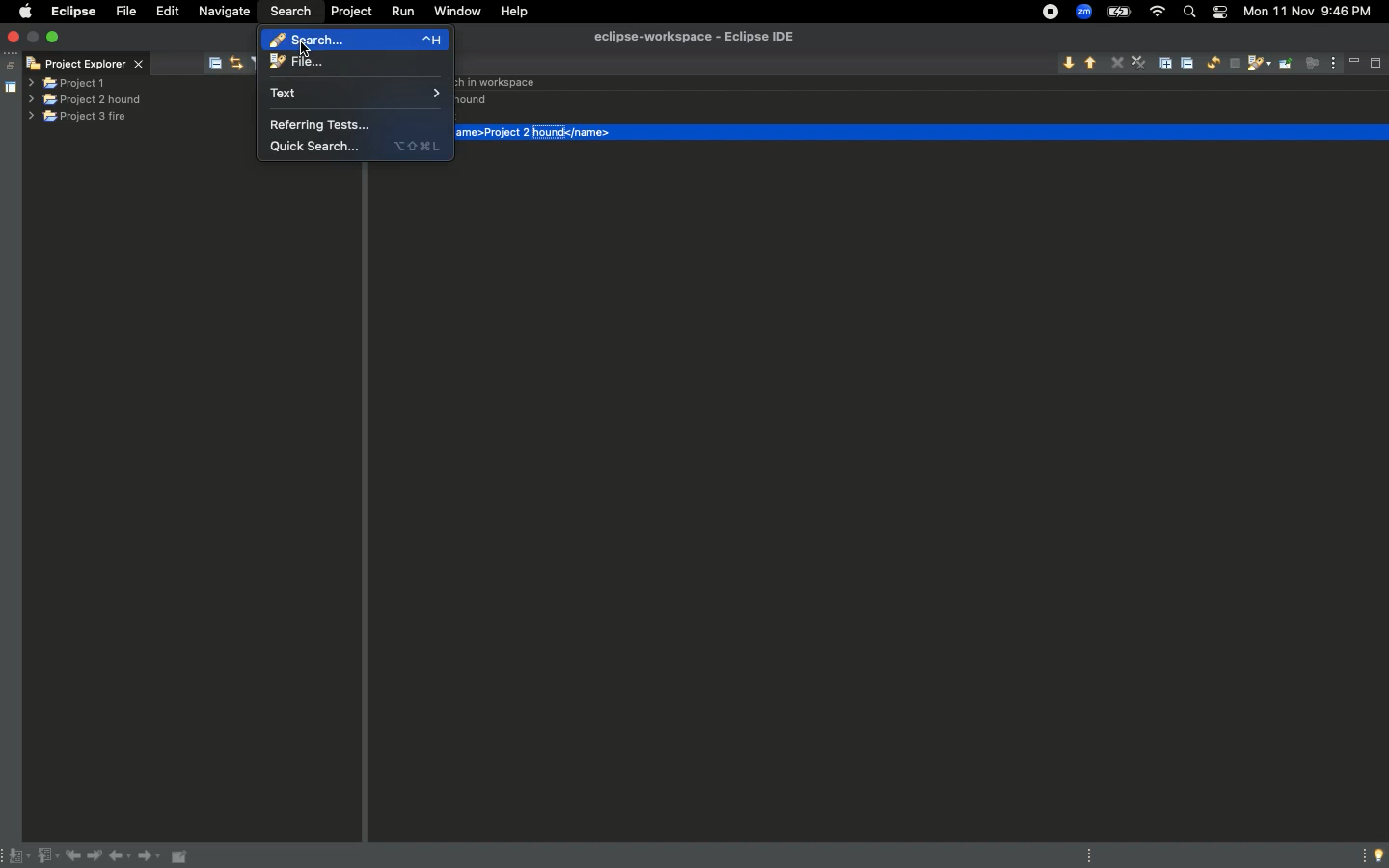 Image resolution: width=1389 pixels, height=868 pixels. I want to click on focus on active activity, so click(1312, 68).